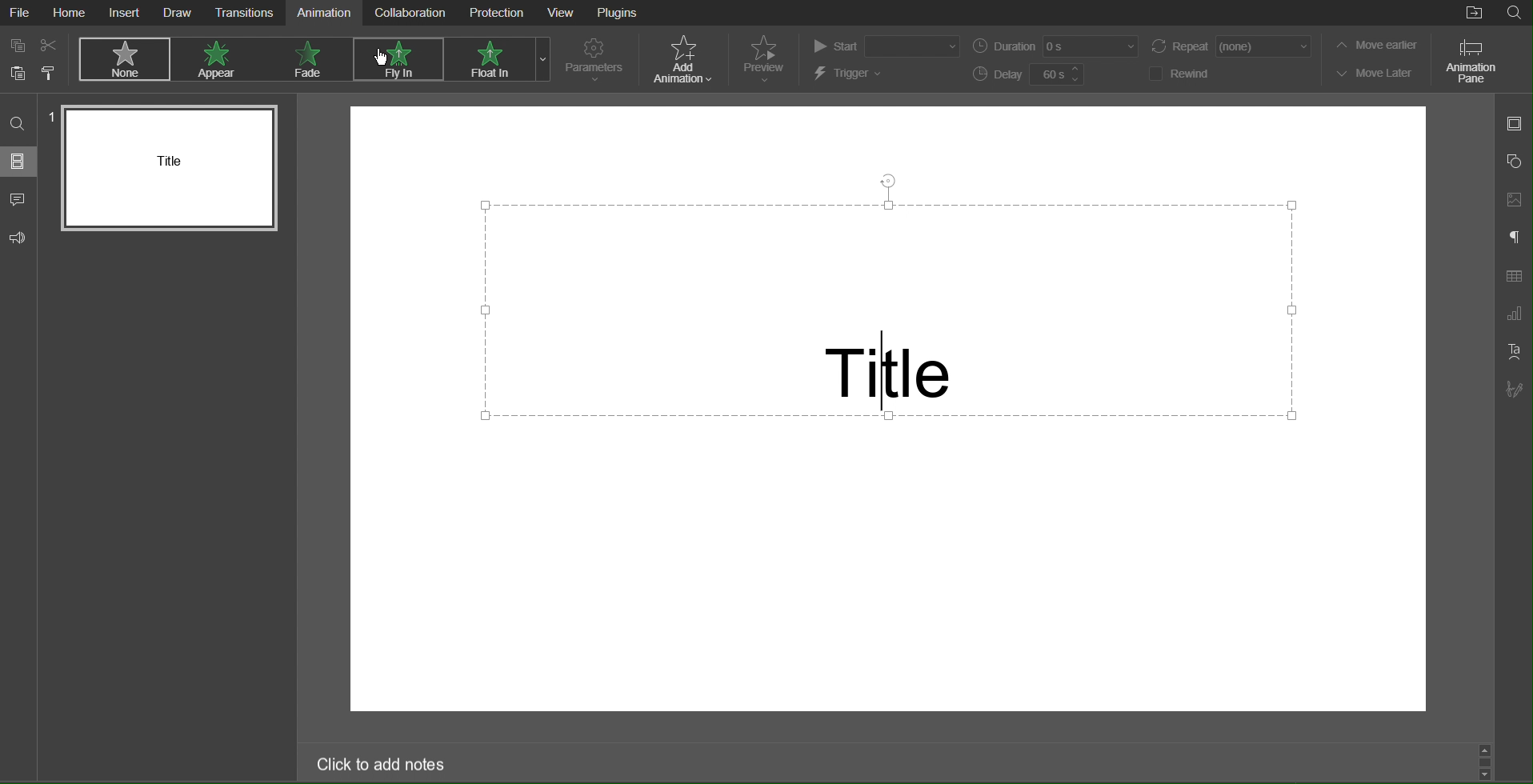 This screenshot has height=784, width=1533. Describe the element at coordinates (884, 46) in the screenshot. I see `Start` at that location.